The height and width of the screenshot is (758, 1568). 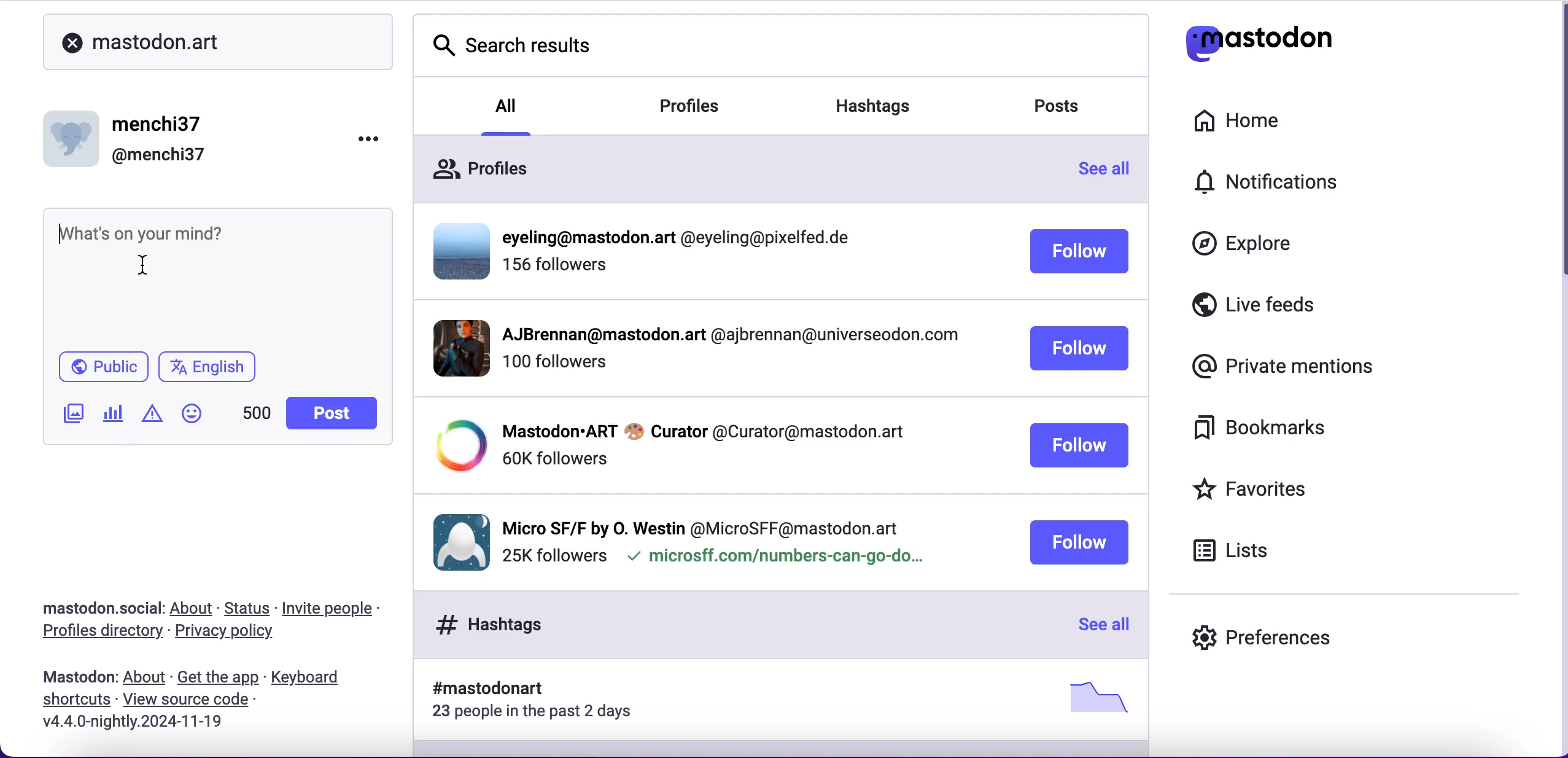 I want to click on profiles directory, so click(x=98, y=633).